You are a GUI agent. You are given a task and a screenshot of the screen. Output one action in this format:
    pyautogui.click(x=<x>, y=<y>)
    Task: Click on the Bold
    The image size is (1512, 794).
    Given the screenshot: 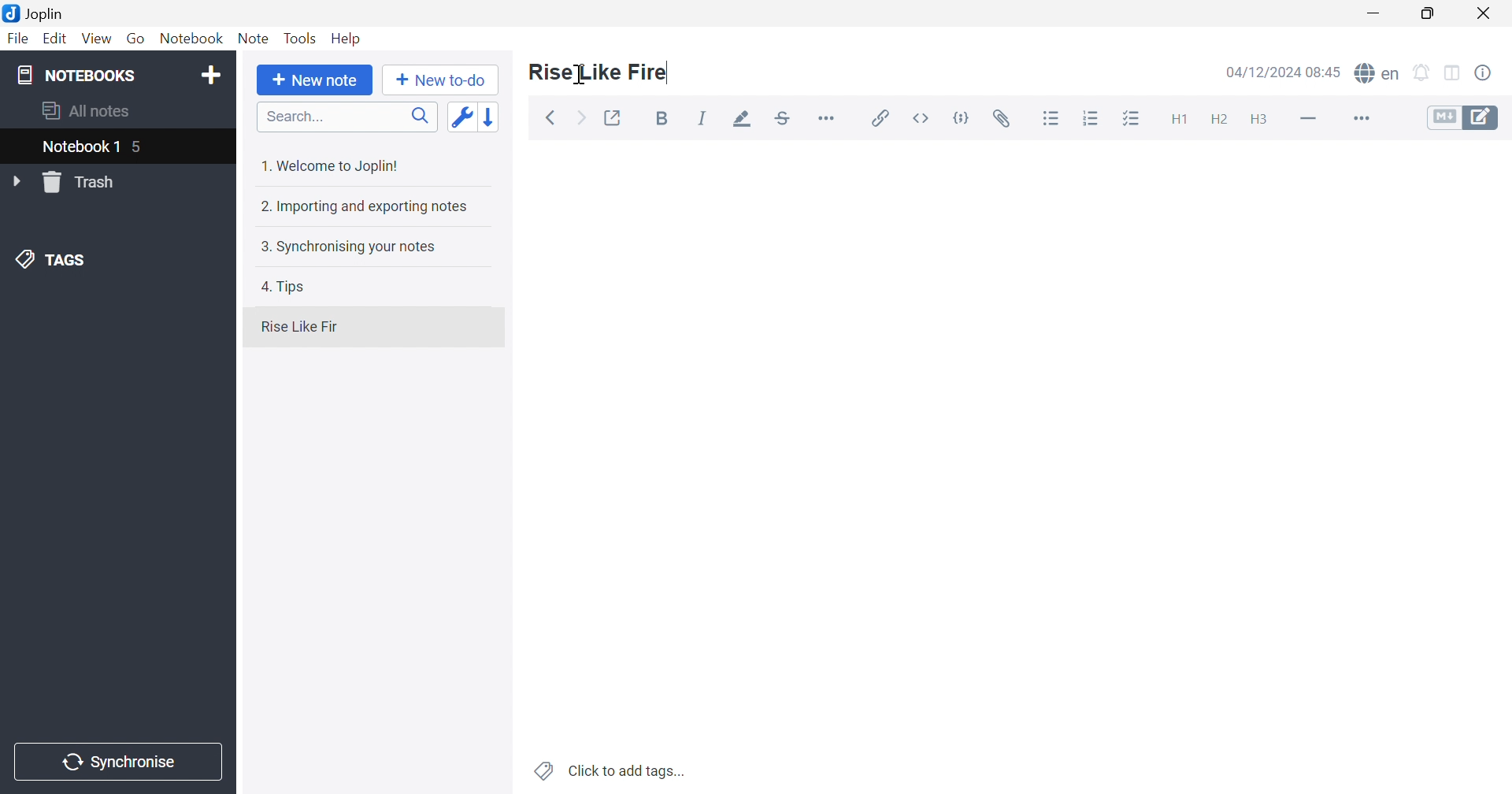 What is the action you would take?
    pyautogui.click(x=661, y=117)
    